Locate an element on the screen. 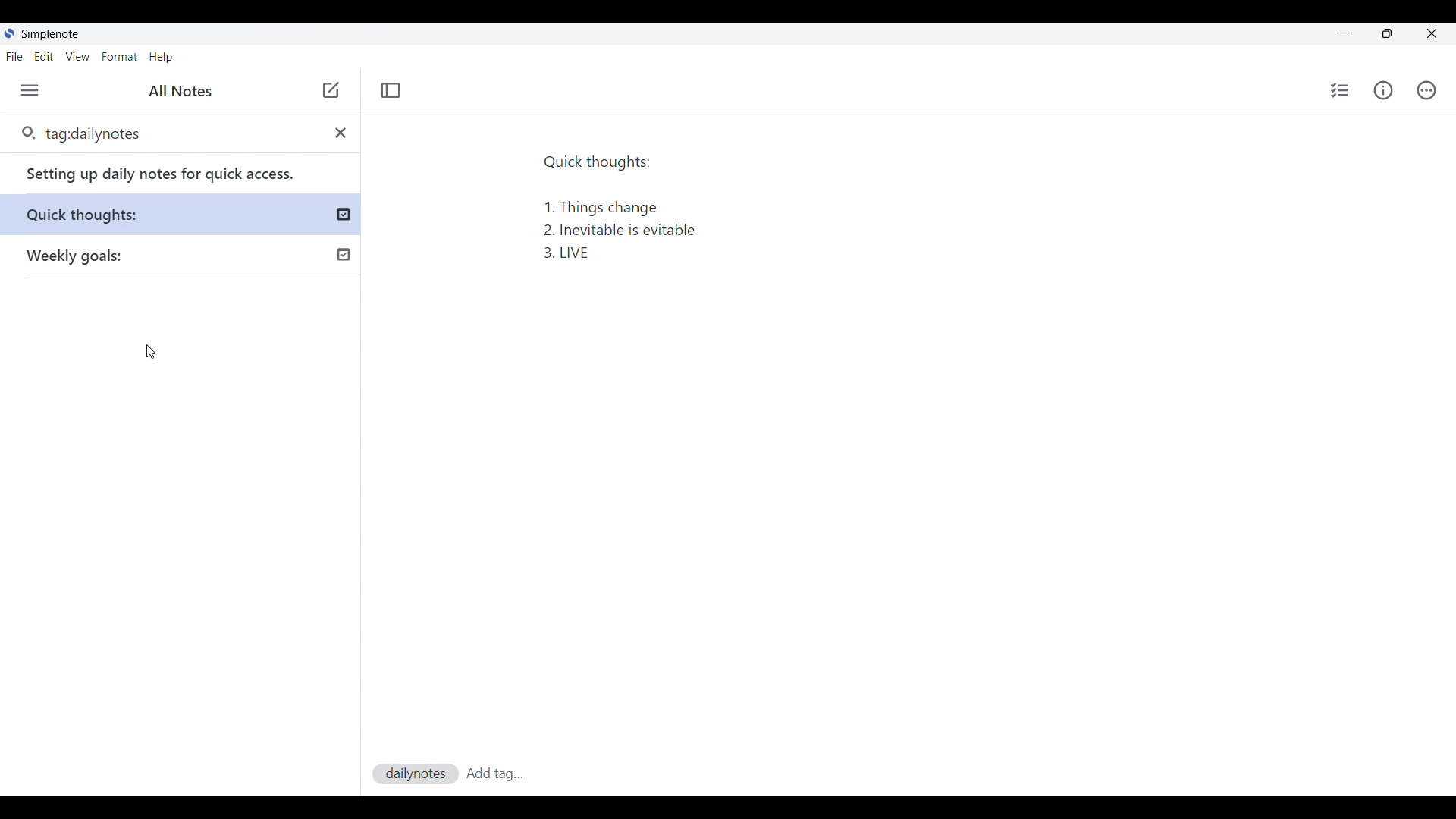  Menu is located at coordinates (30, 90).